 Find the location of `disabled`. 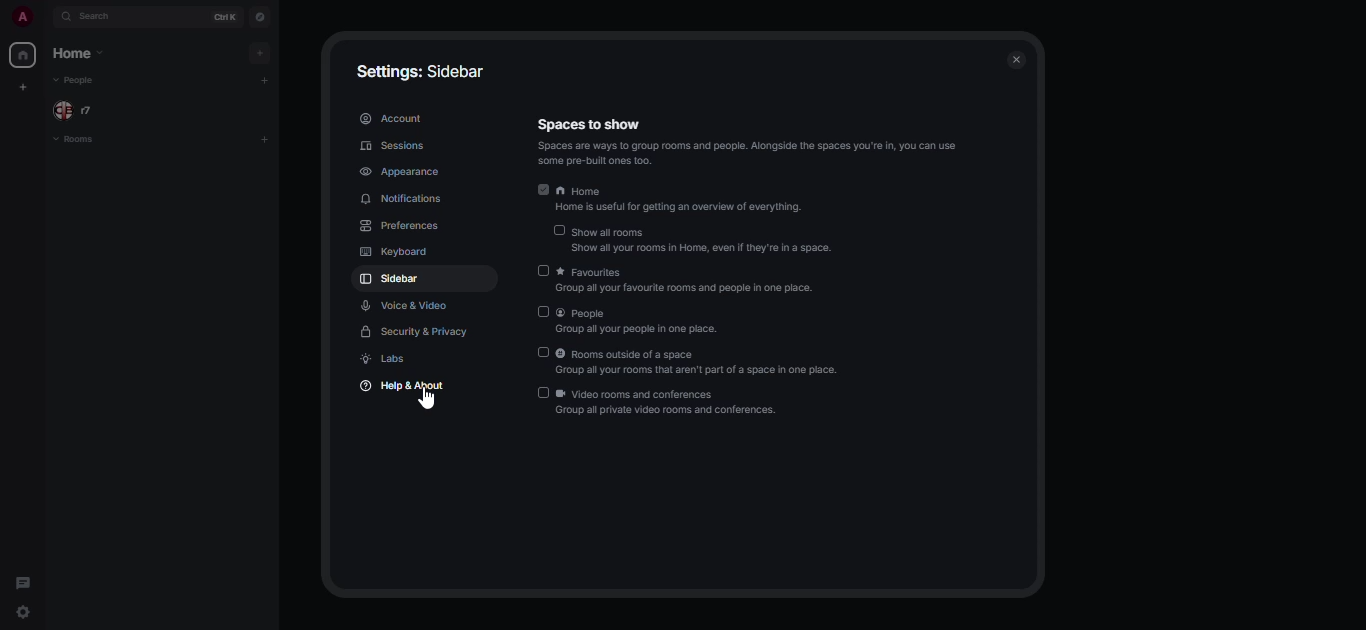

disabled is located at coordinates (542, 311).